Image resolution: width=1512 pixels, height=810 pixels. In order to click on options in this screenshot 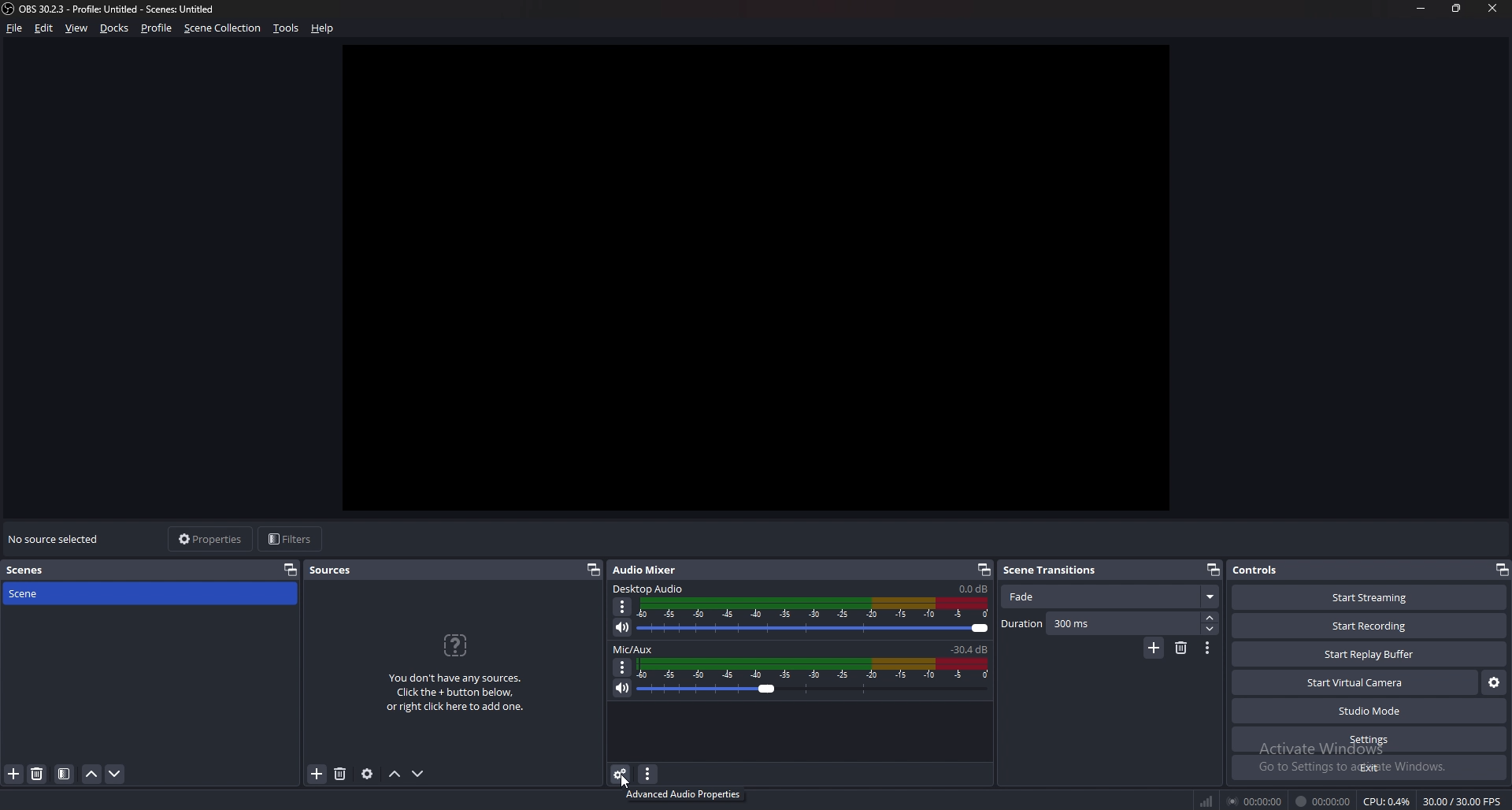, I will do `click(623, 667)`.